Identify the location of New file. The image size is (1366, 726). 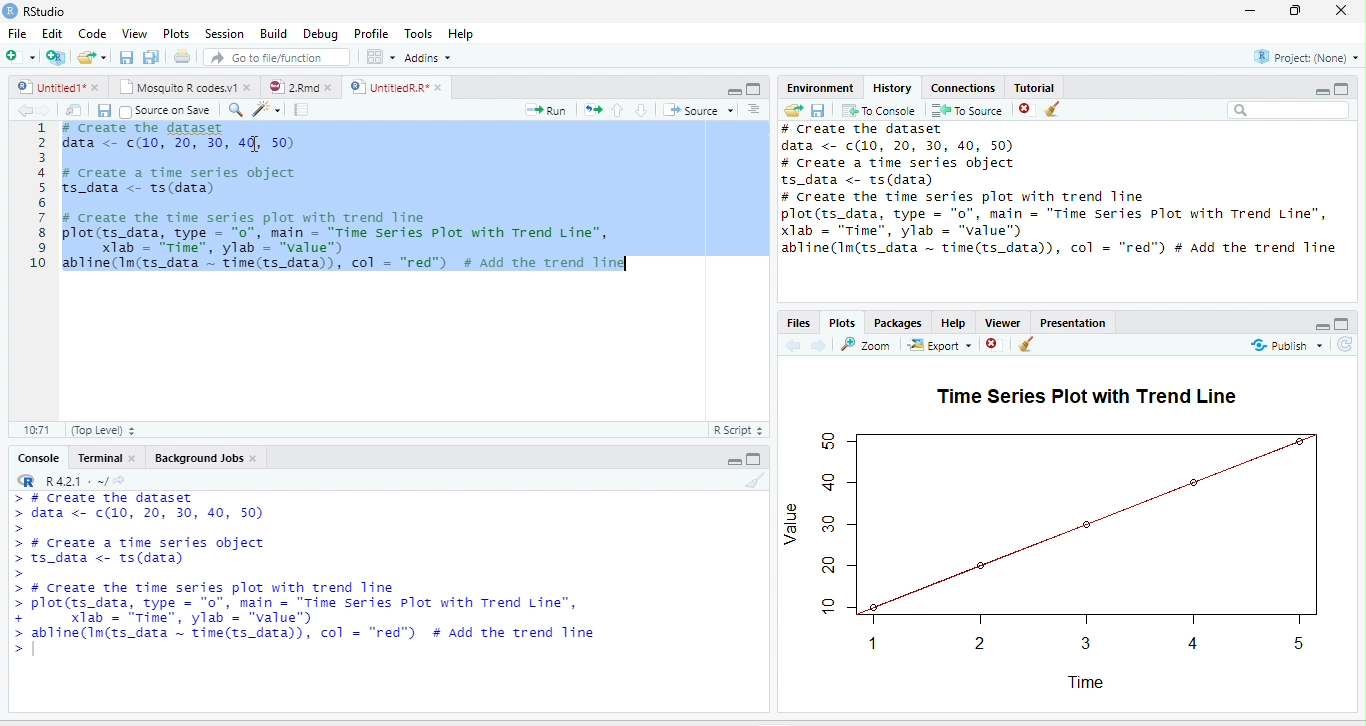
(19, 56).